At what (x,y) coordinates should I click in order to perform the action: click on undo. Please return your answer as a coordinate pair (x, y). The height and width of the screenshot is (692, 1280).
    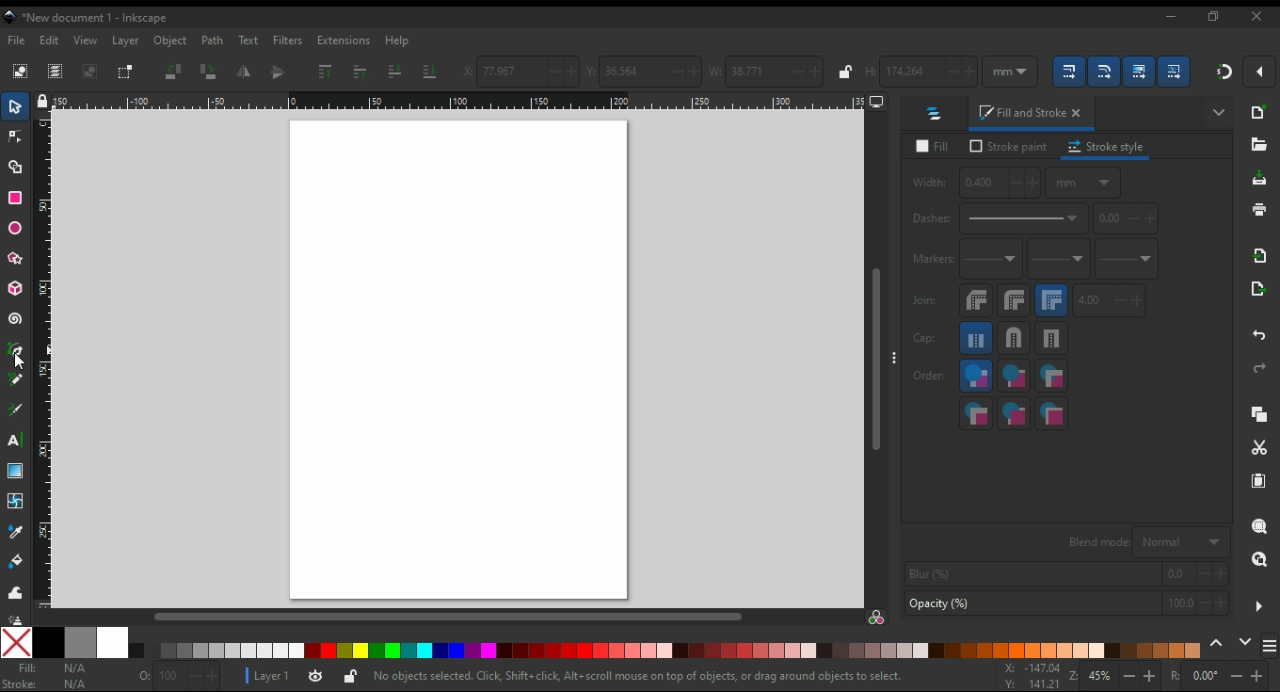
    Looking at the image, I should click on (1256, 336).